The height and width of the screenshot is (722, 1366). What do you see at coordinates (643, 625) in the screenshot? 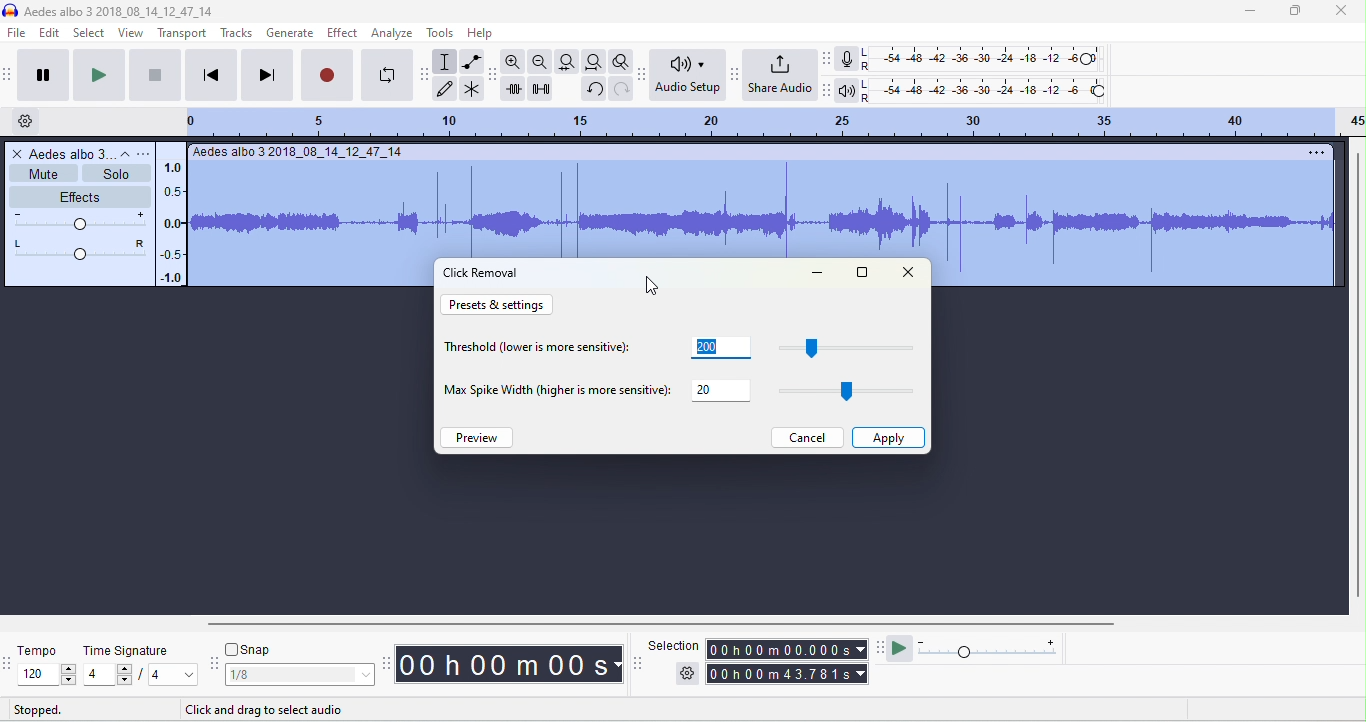
I see `horizontal scroll bar` at bounding box center [643, 625].